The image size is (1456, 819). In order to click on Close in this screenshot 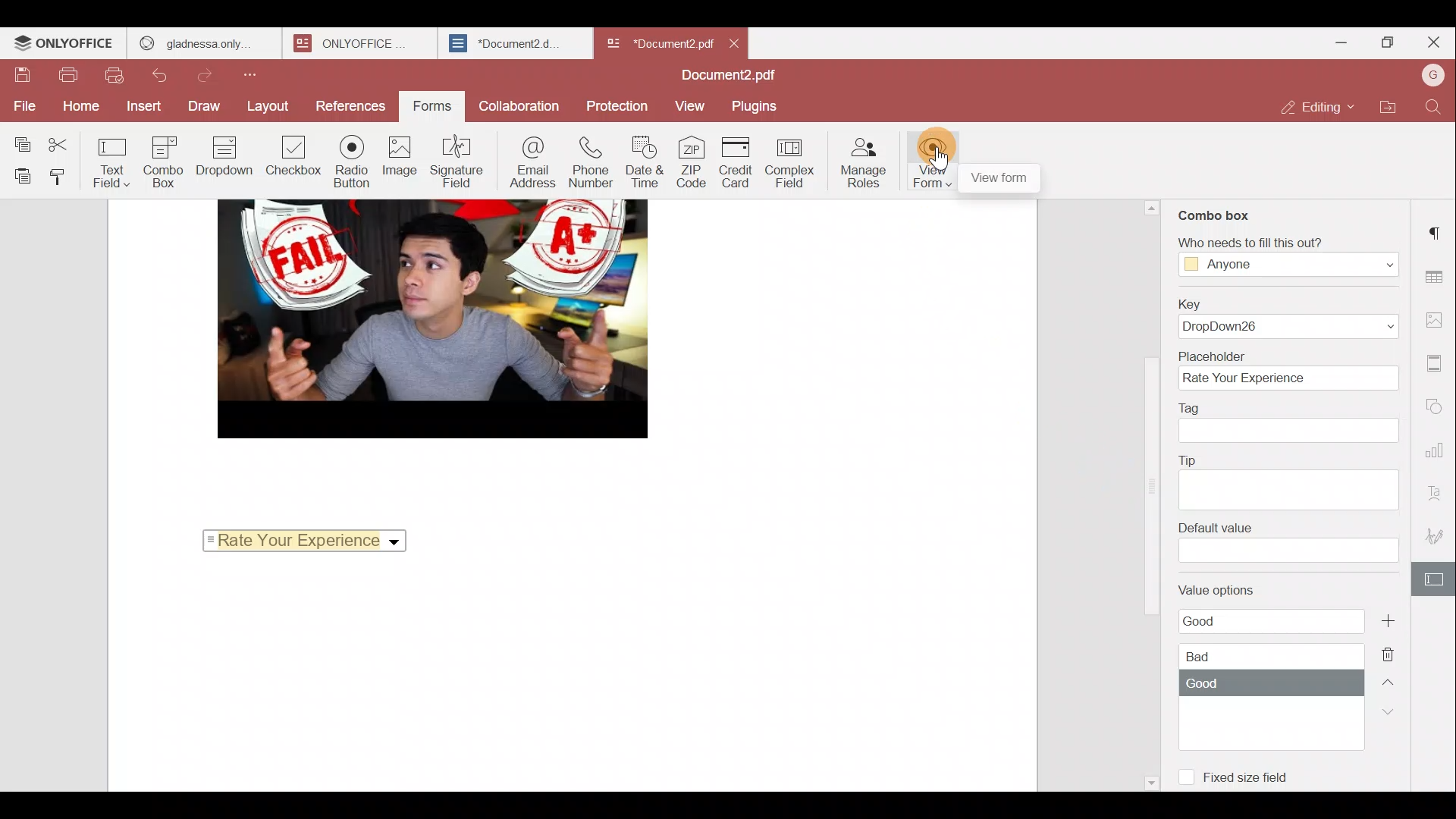, I will do `click(1433, 42)`.